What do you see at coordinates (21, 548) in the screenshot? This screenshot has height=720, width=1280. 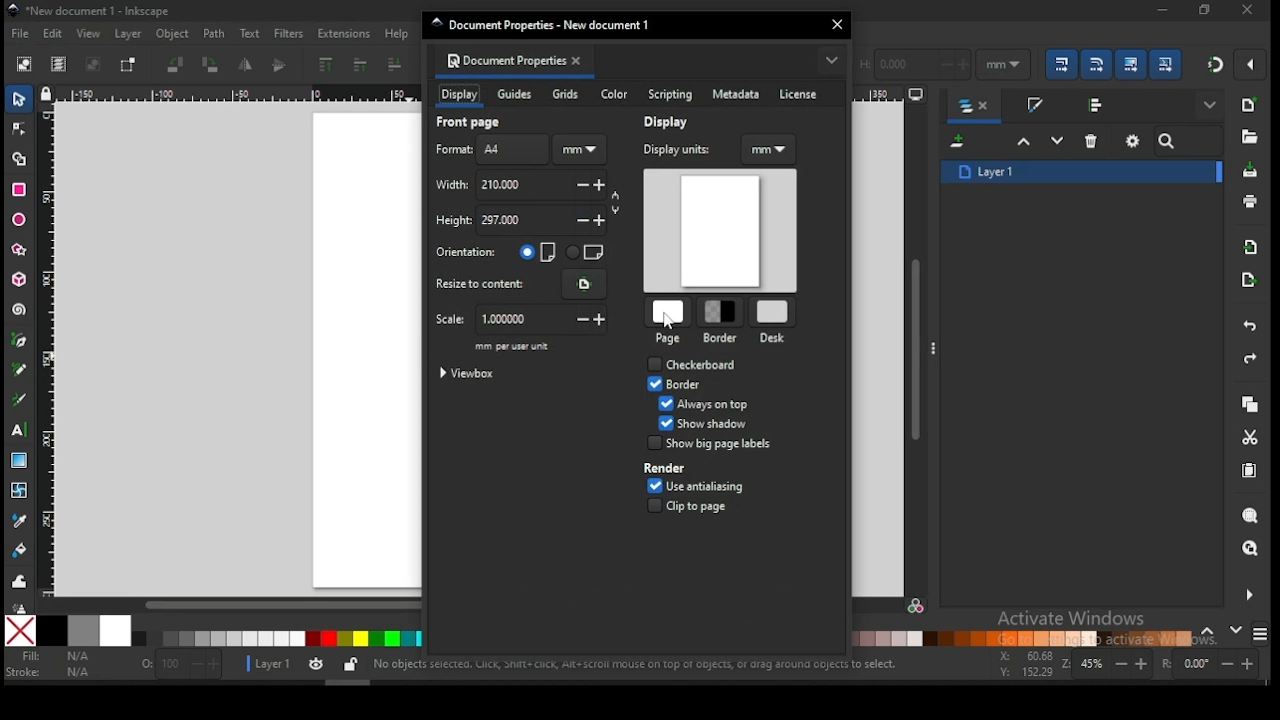 I see `paint bucket tool` at bounding box center [21, 548].